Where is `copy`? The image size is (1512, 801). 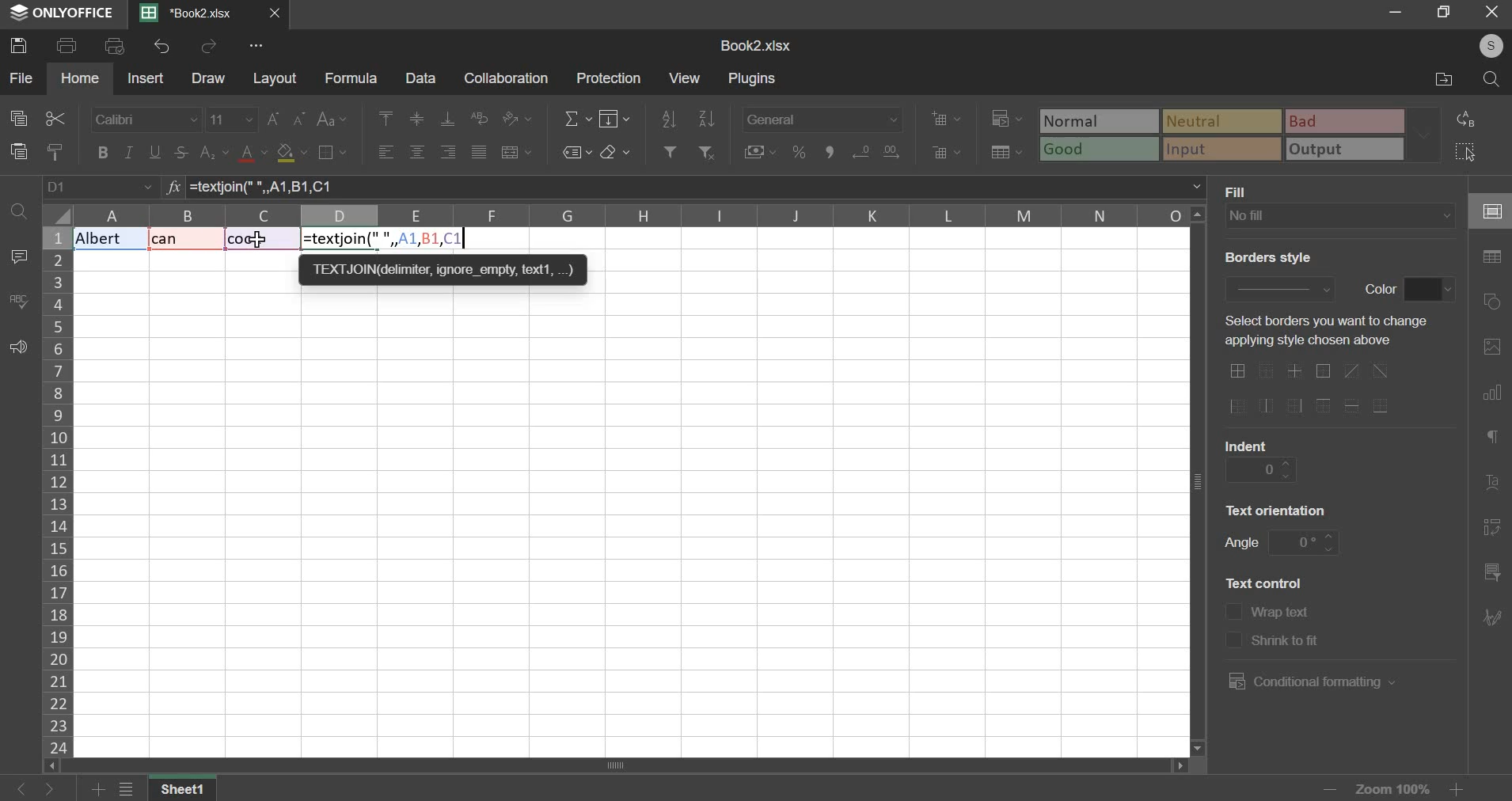 copy is located at coordinates (18, 119).